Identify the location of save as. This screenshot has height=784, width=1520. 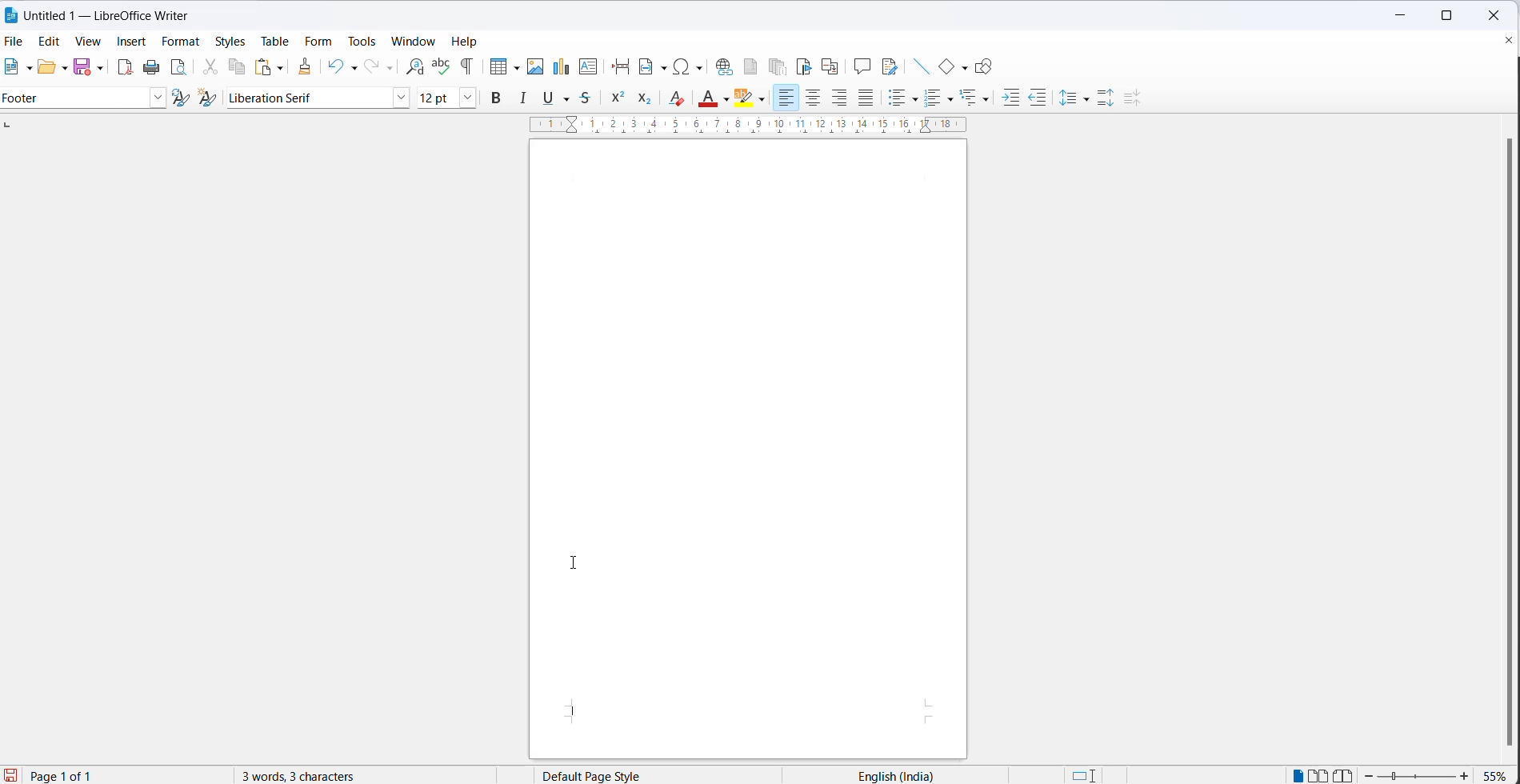
(100, 68).